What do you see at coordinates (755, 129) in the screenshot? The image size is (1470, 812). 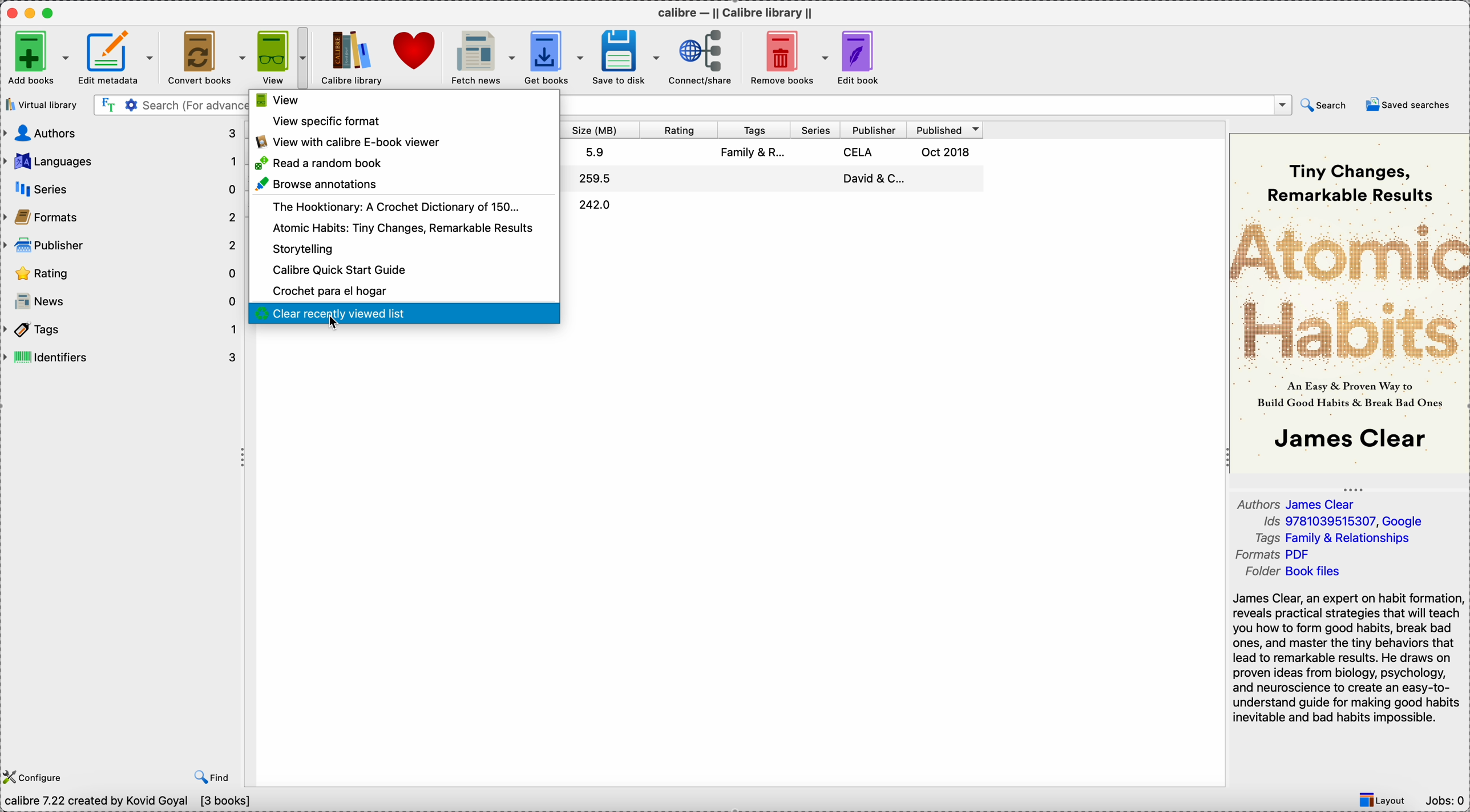 I see `tags` at bounding box center [755, 129].